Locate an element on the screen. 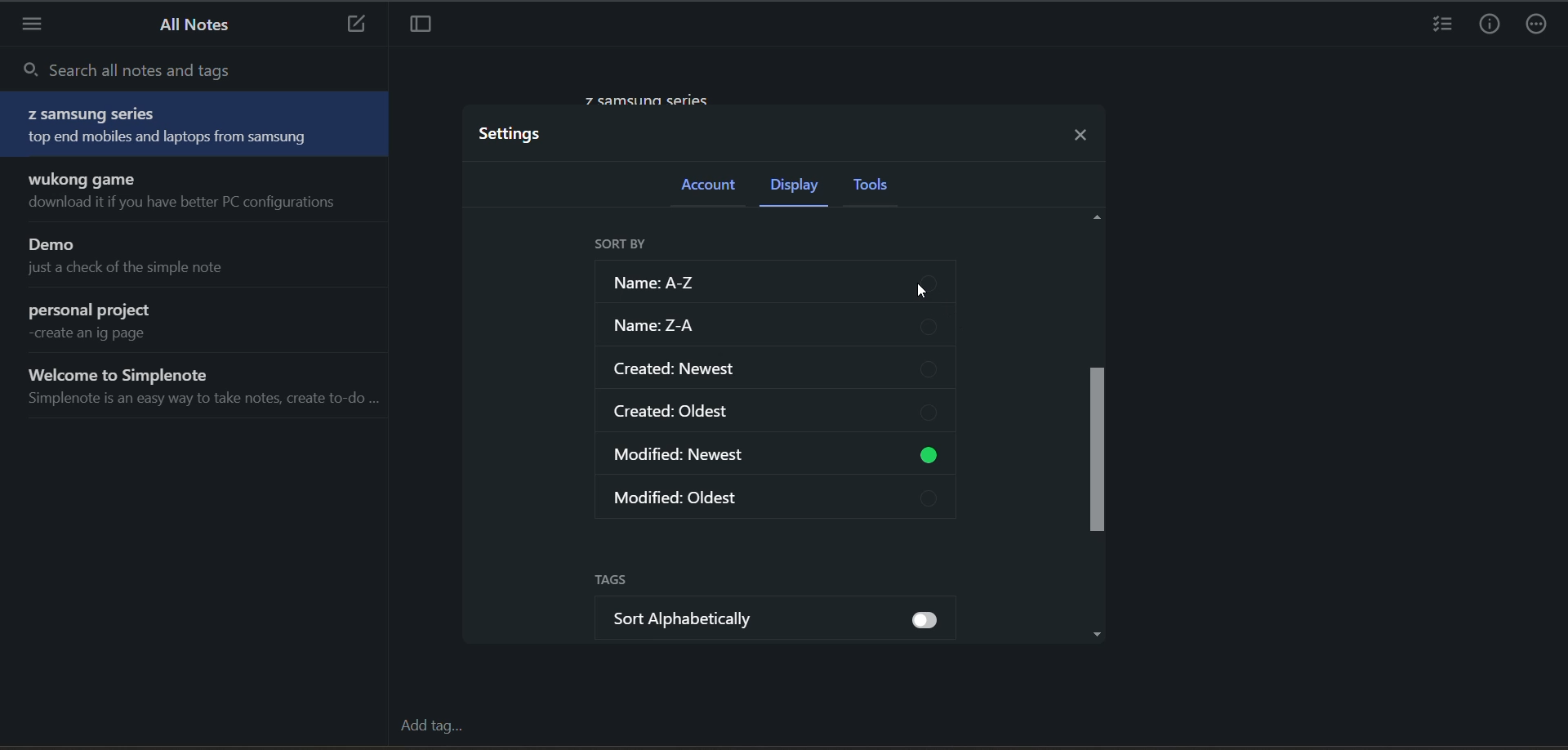 The width and height of the screenshot is (1568, 750). tags is located at coordinates (622, 582).